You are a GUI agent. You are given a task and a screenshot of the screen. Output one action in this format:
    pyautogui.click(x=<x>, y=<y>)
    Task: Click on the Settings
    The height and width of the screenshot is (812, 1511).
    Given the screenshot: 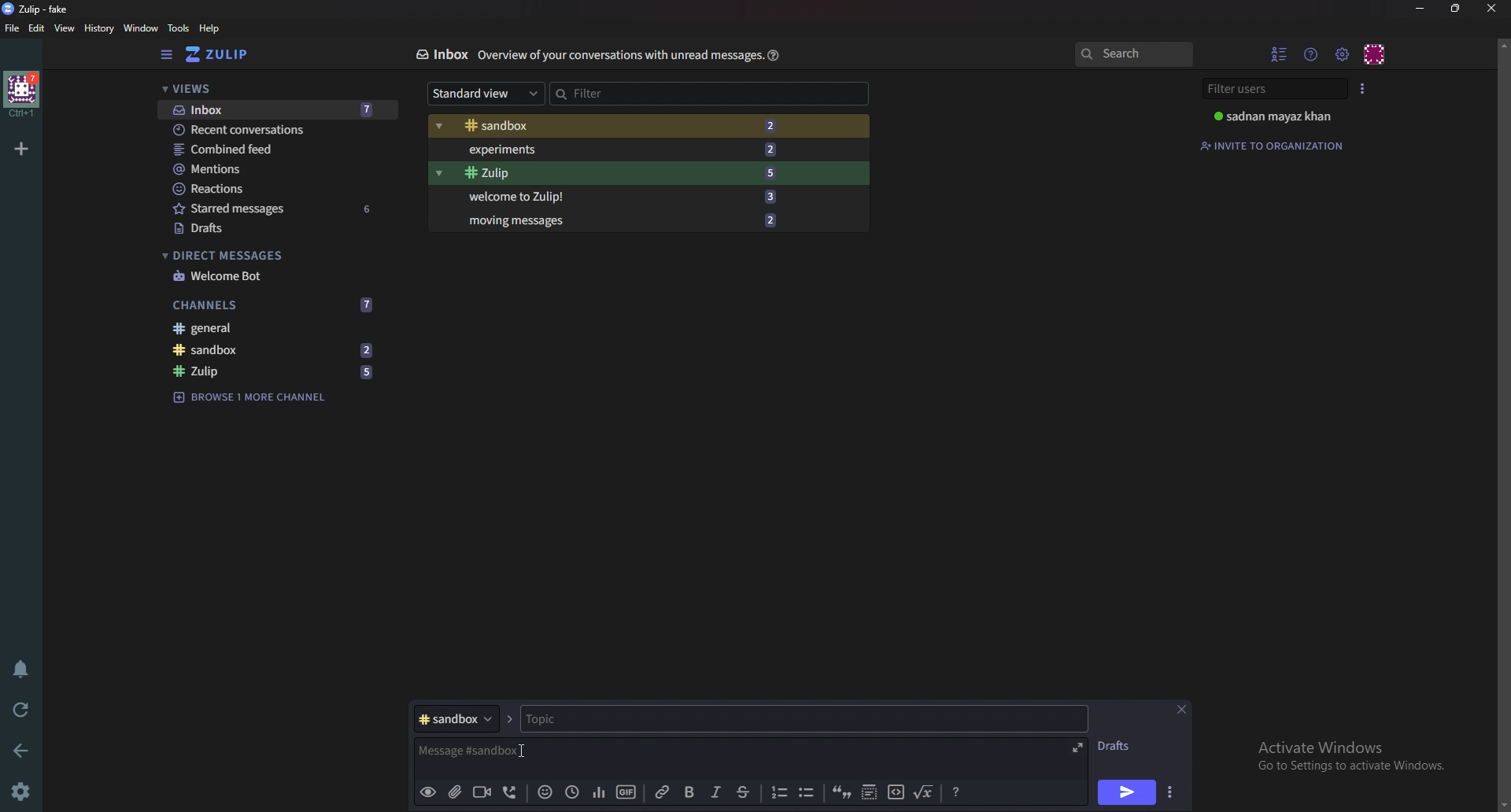 What is the action you would take?
    pyautogui.click(x=24, y=791)
    